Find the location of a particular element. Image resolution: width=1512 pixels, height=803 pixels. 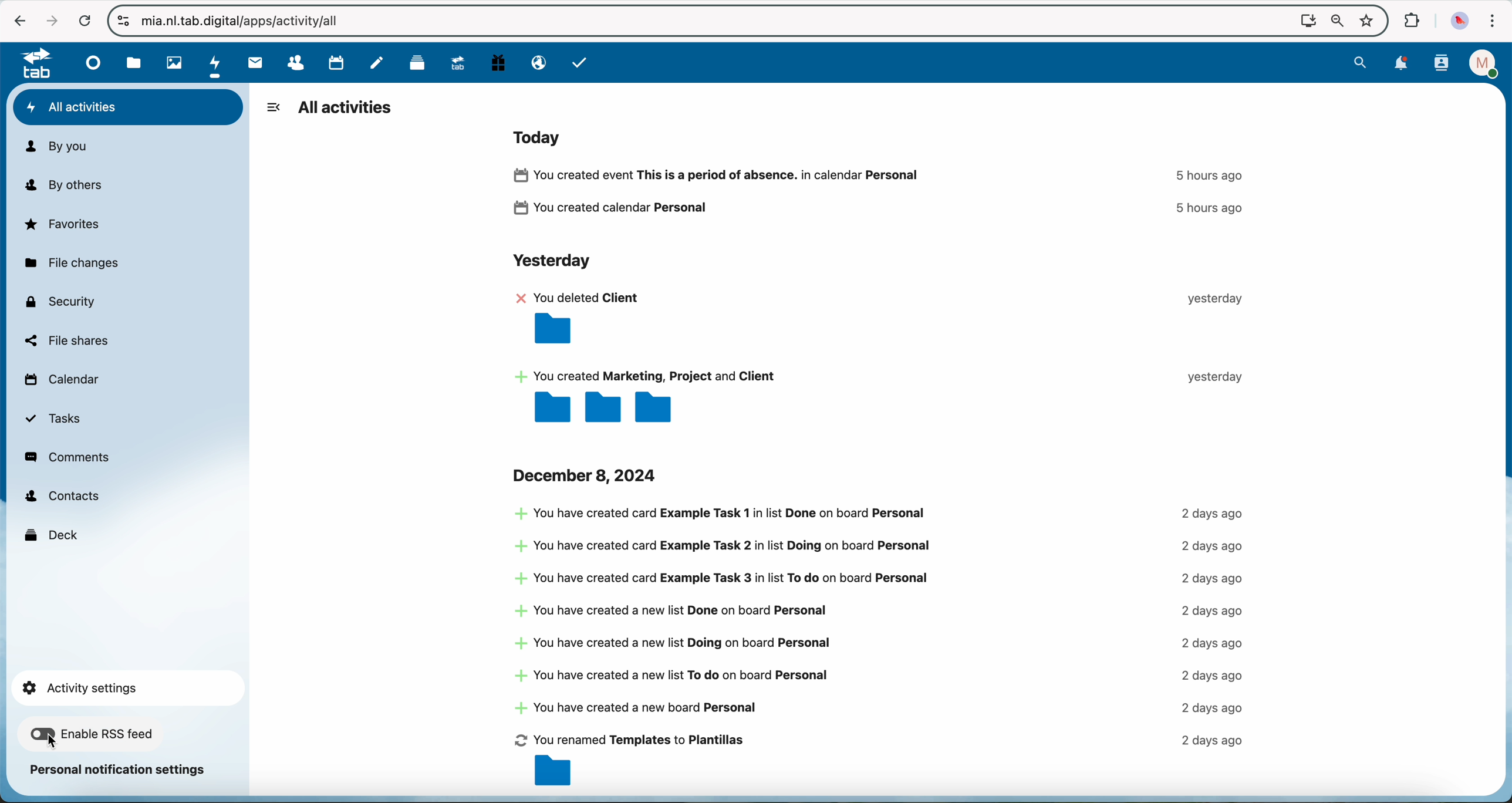

contacts is located at coordinates (289, 63).